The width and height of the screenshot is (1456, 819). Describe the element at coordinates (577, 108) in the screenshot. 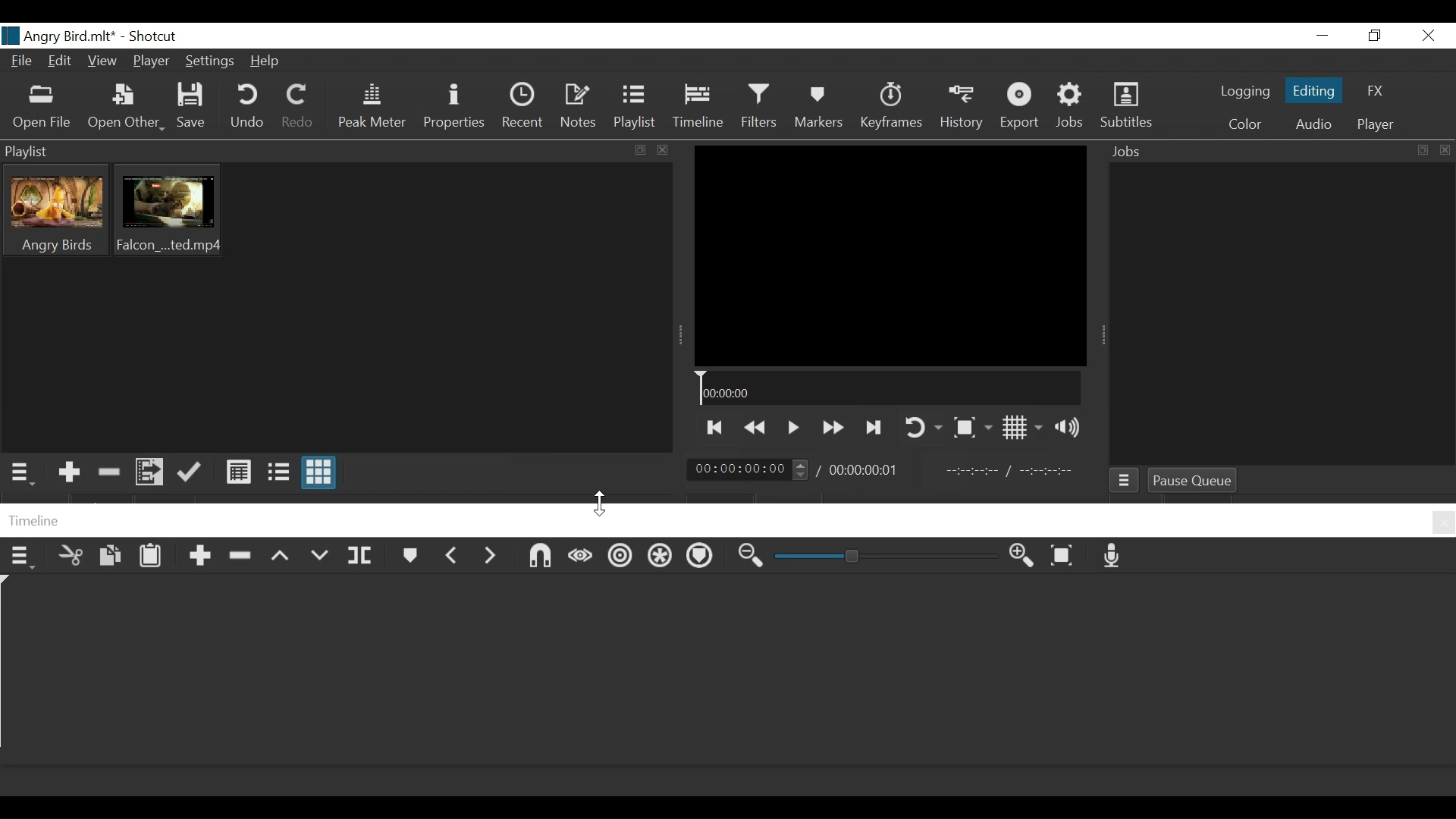

I see `Notes` at that location.